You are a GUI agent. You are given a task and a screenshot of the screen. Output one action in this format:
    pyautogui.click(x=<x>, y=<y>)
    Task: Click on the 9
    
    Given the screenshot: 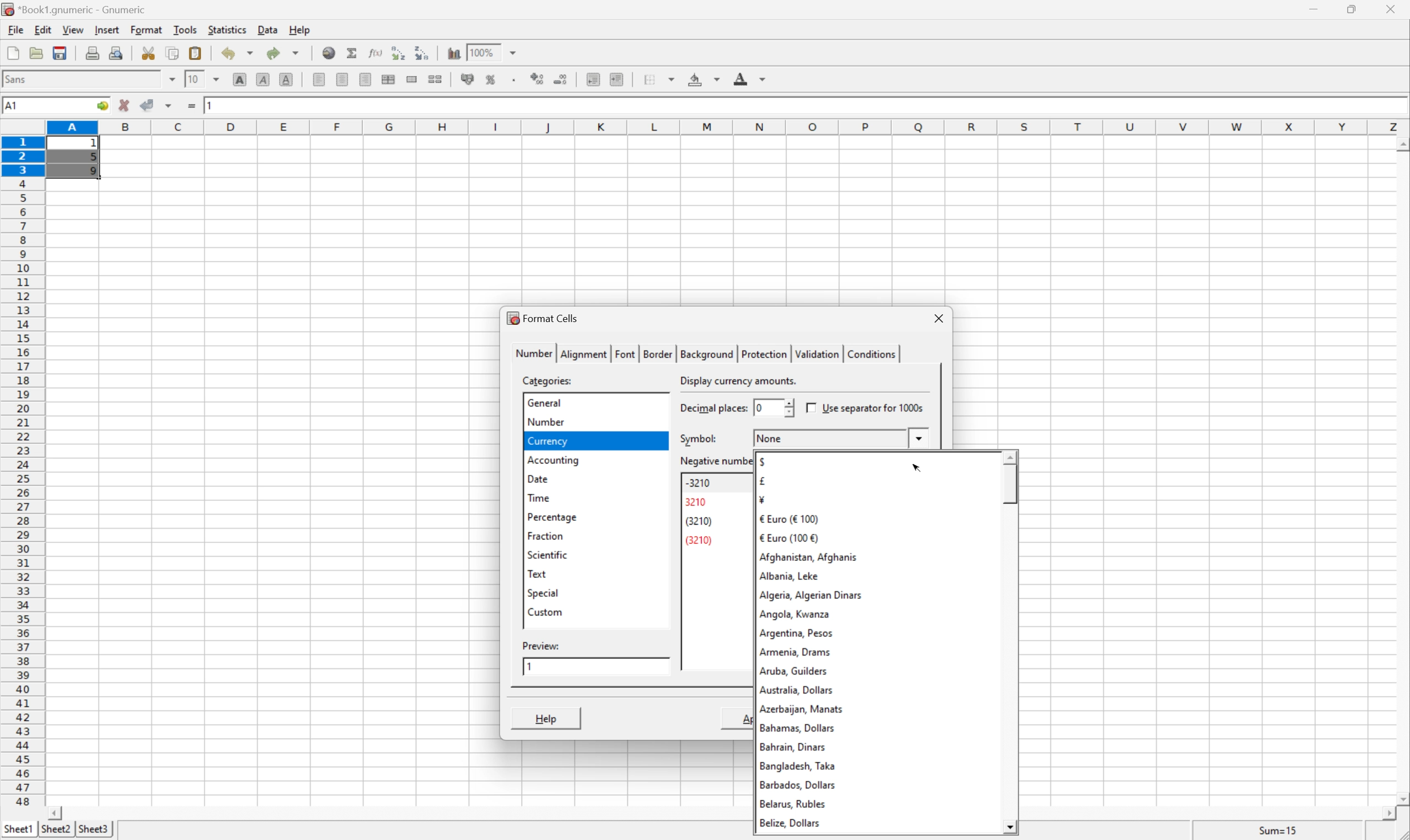 What is the action you would take?
    pyautogui.click(x=92, y=173)
    